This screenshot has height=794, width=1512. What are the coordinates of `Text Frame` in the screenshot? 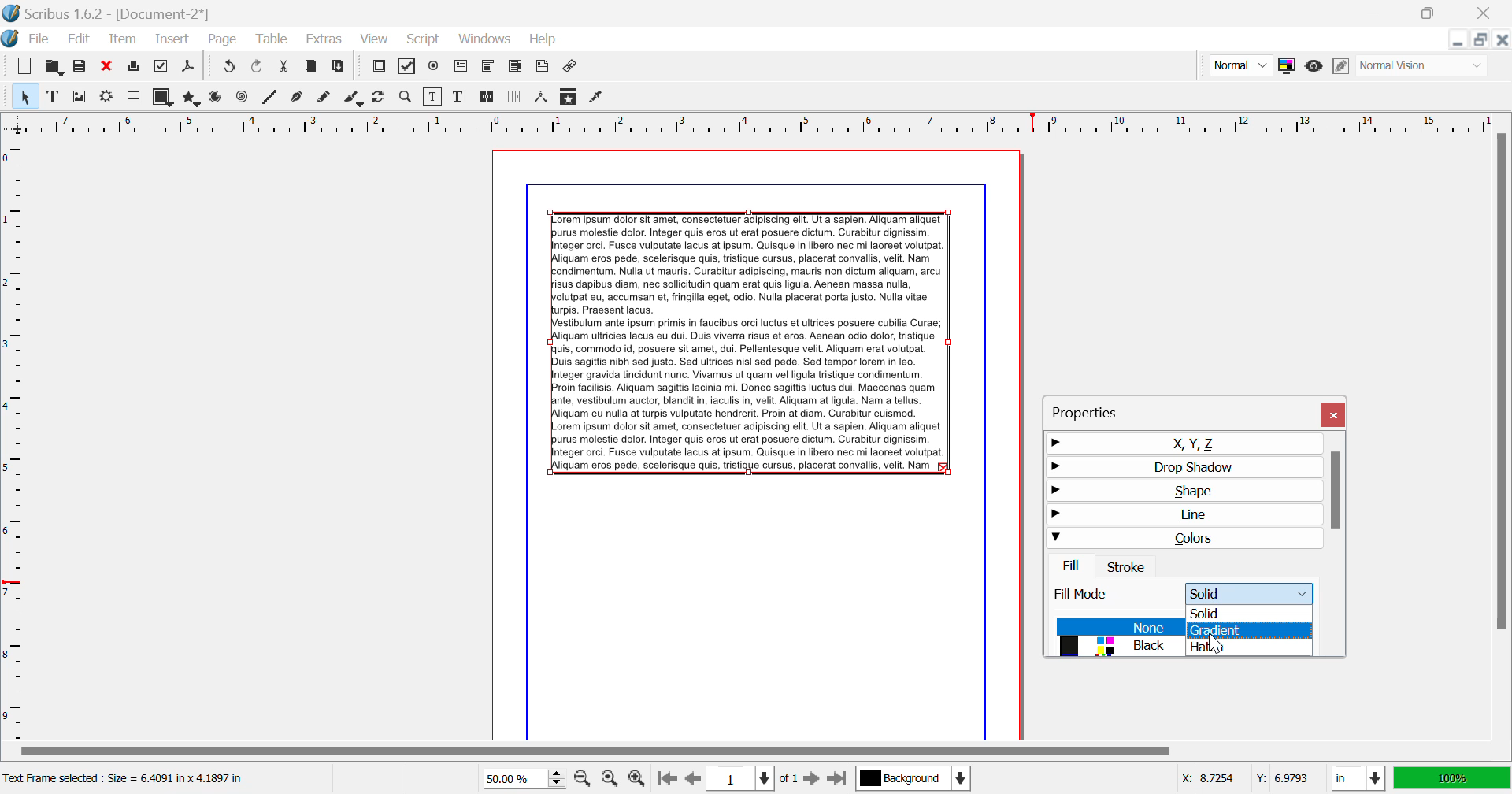 It's located at (53, 96).